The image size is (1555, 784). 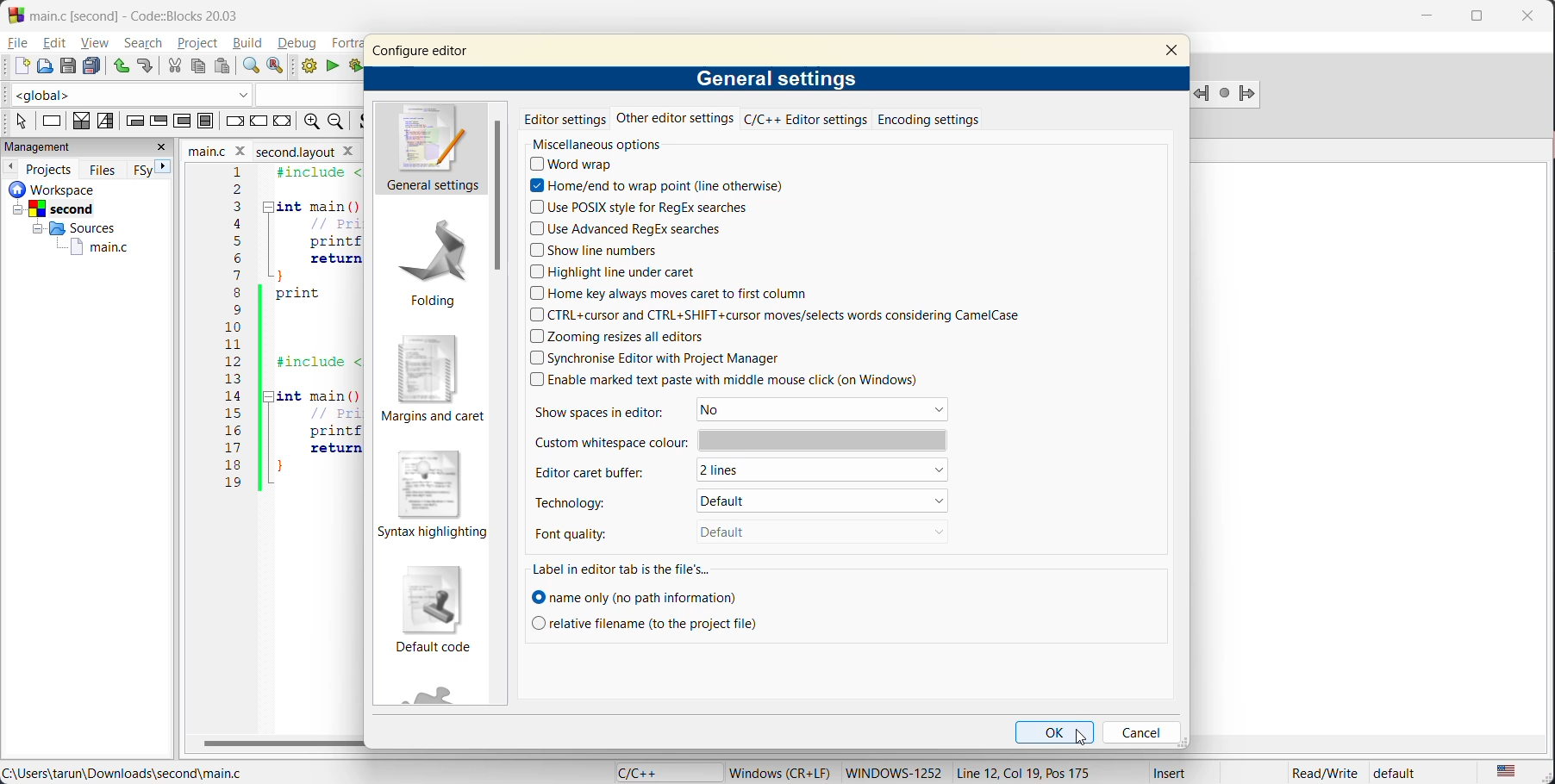 I want to click on file name, so click(x=266, y=151).